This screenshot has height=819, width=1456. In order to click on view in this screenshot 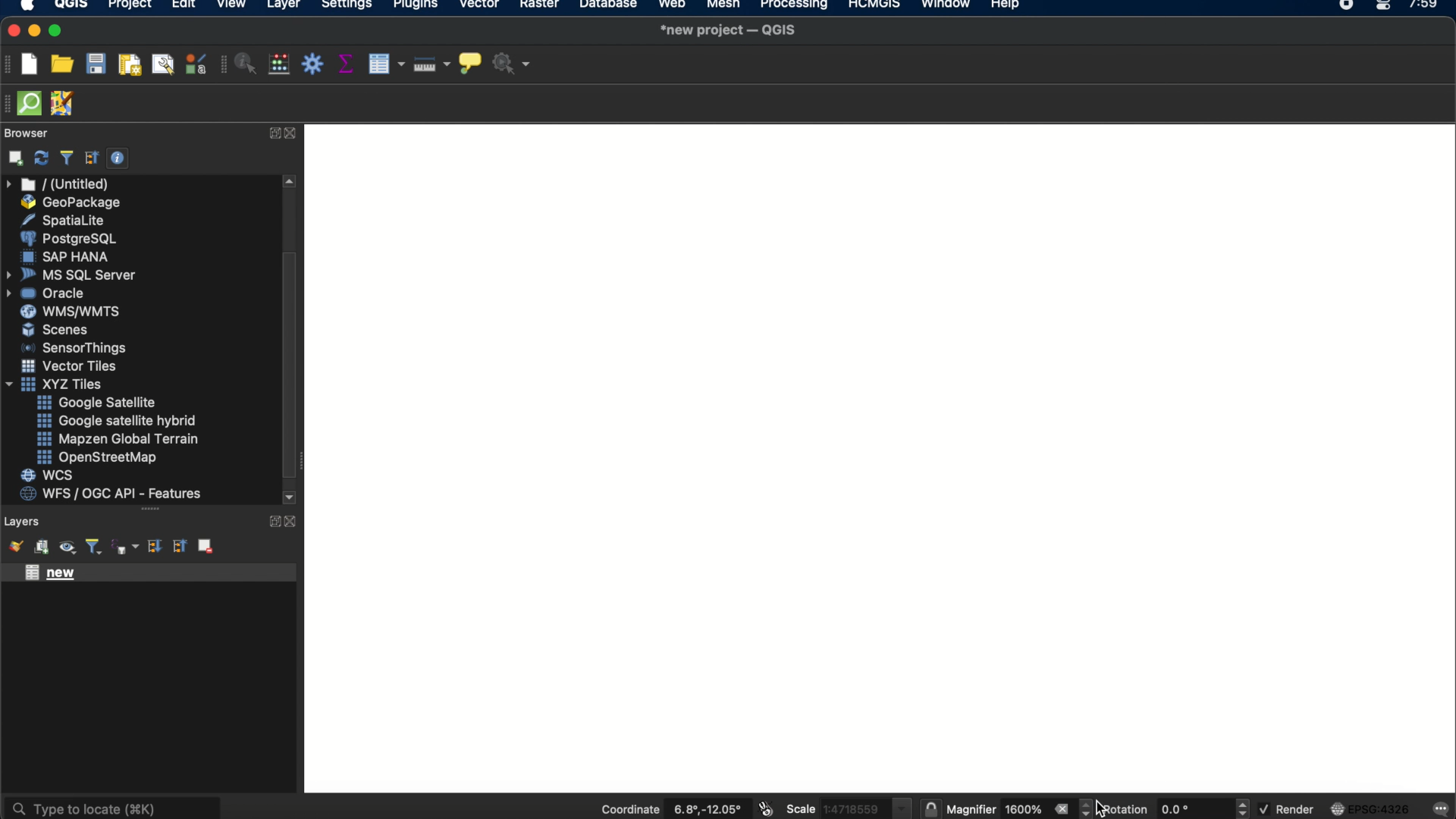, I will do `click(231, 6)`.